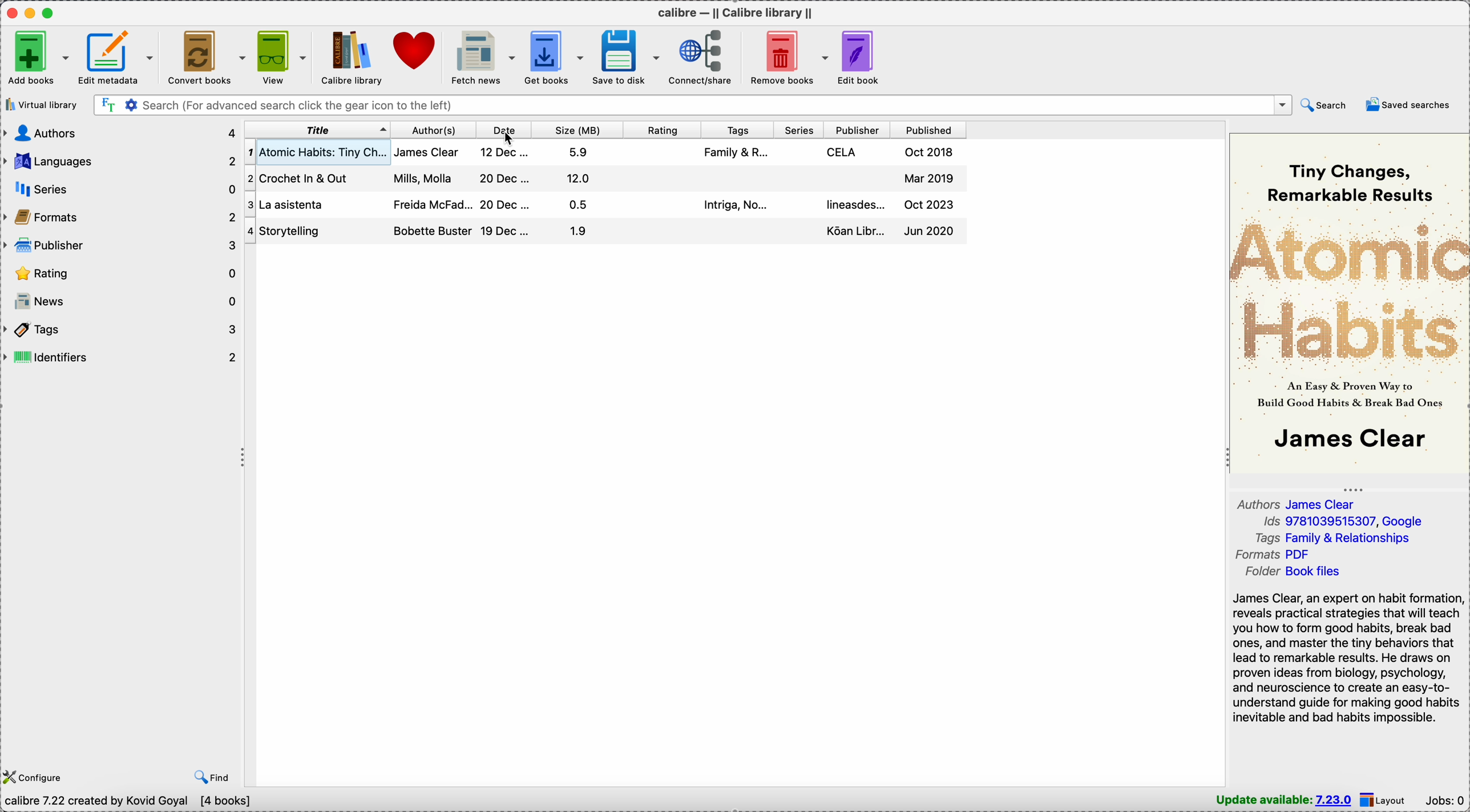  What do you see at coordinates (735, 12) in the screenshot?
I see `Calibre - || Calibre library ||` at bounding box center [735, 12].